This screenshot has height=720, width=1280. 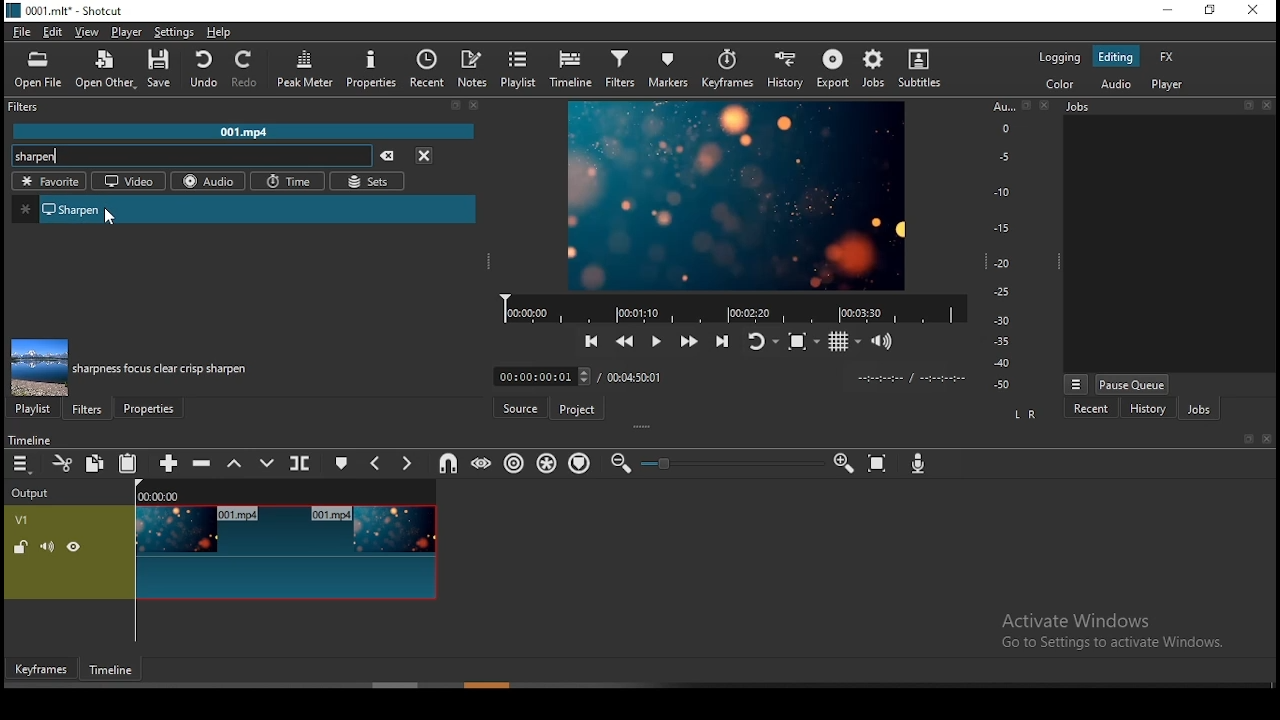 I want to click on project, so click(x=578, y=410).